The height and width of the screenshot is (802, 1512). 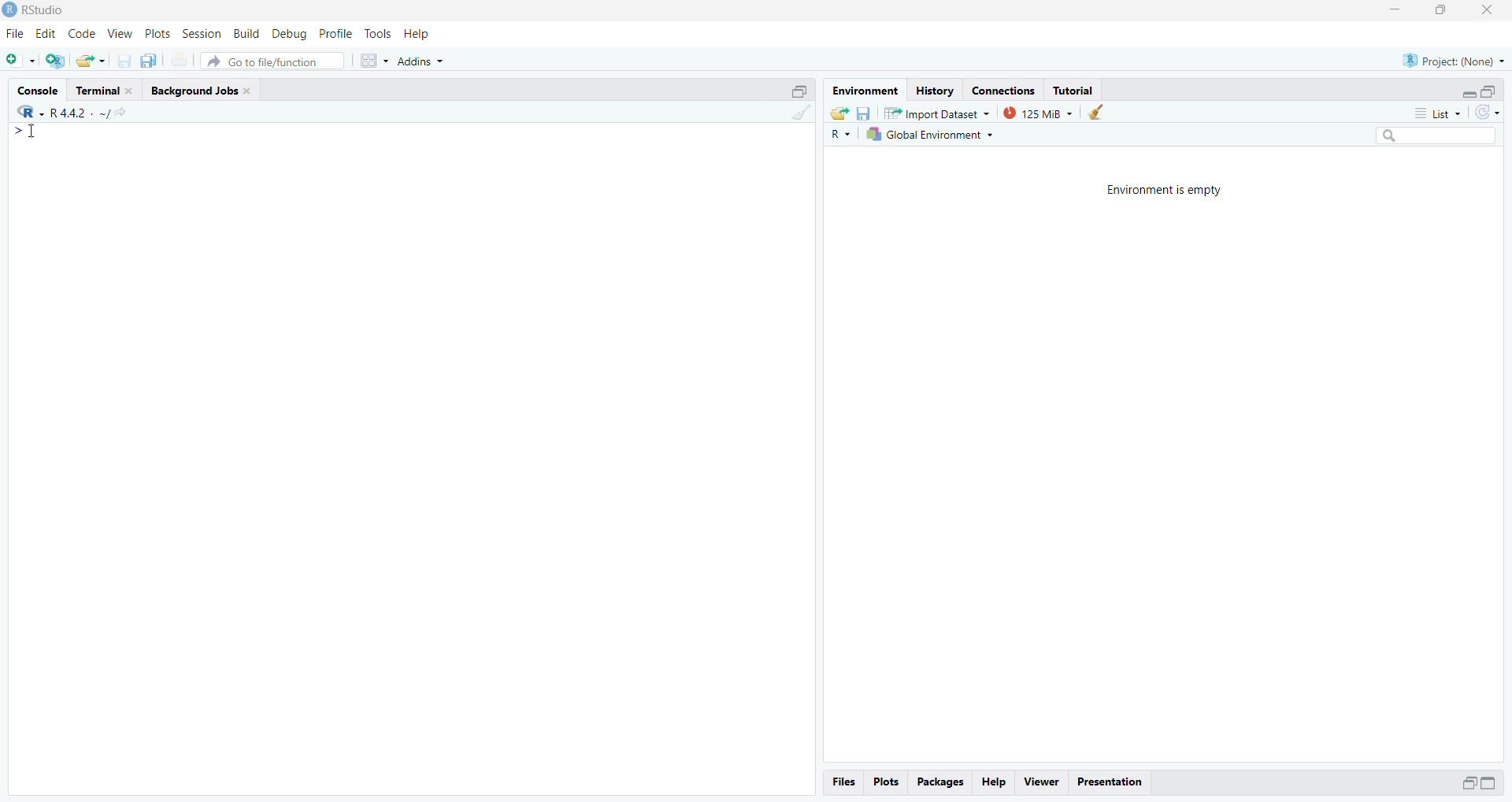 What do you see at coordinates (106, 88) in the screenshot?
I see `Terminal` at bounding box center [106, 88].